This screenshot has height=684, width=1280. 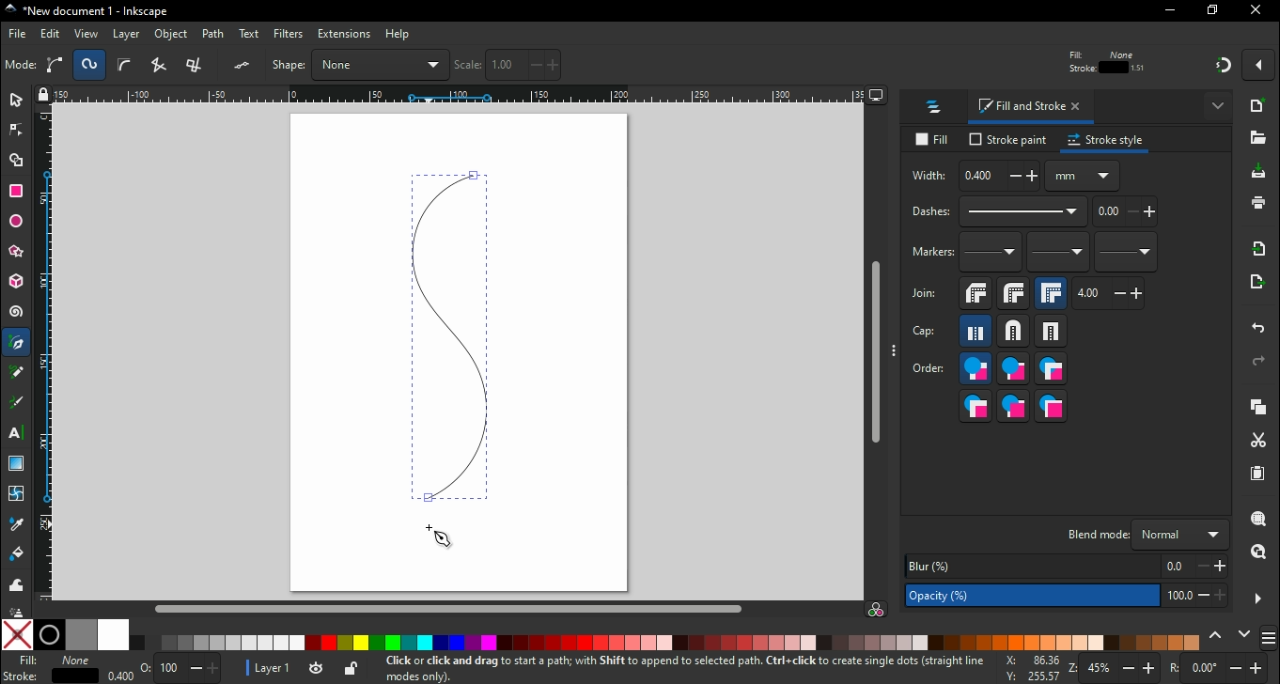 What do you see at coordinates (80, 634) in the screenshot?
I see `50% grey` at bounding box center [80, 634].